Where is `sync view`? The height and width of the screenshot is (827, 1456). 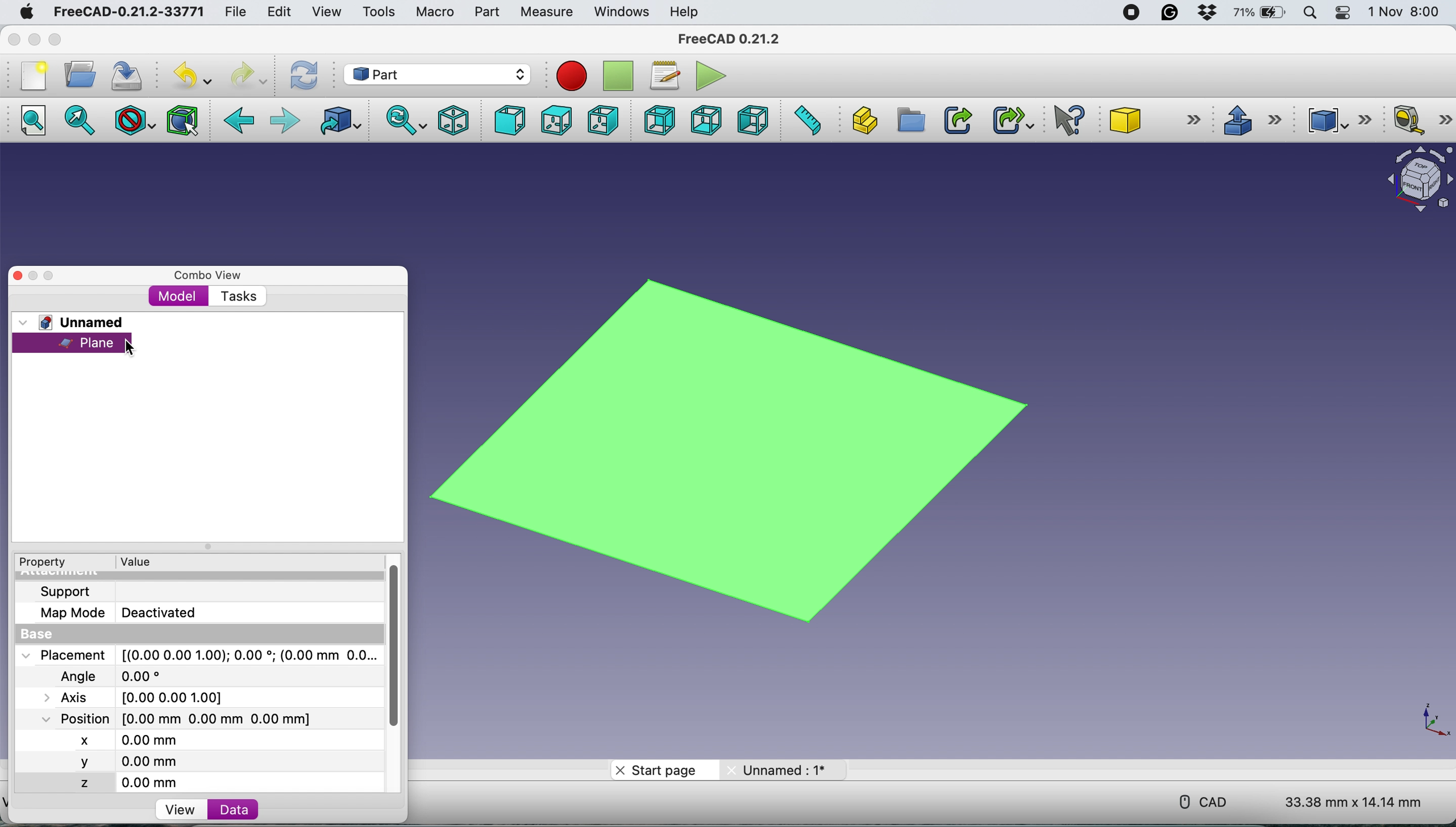
sync view is located at coordinates (409, 123).